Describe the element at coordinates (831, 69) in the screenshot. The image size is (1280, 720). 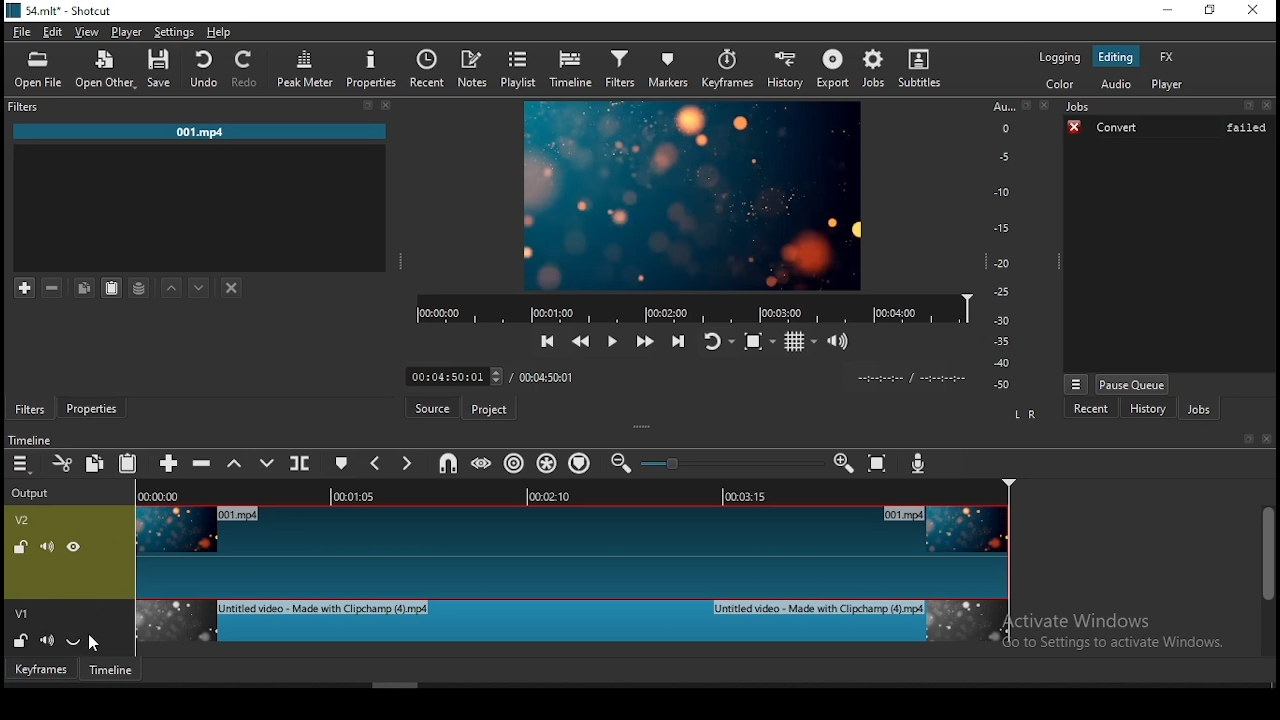
I see `export` at that location.